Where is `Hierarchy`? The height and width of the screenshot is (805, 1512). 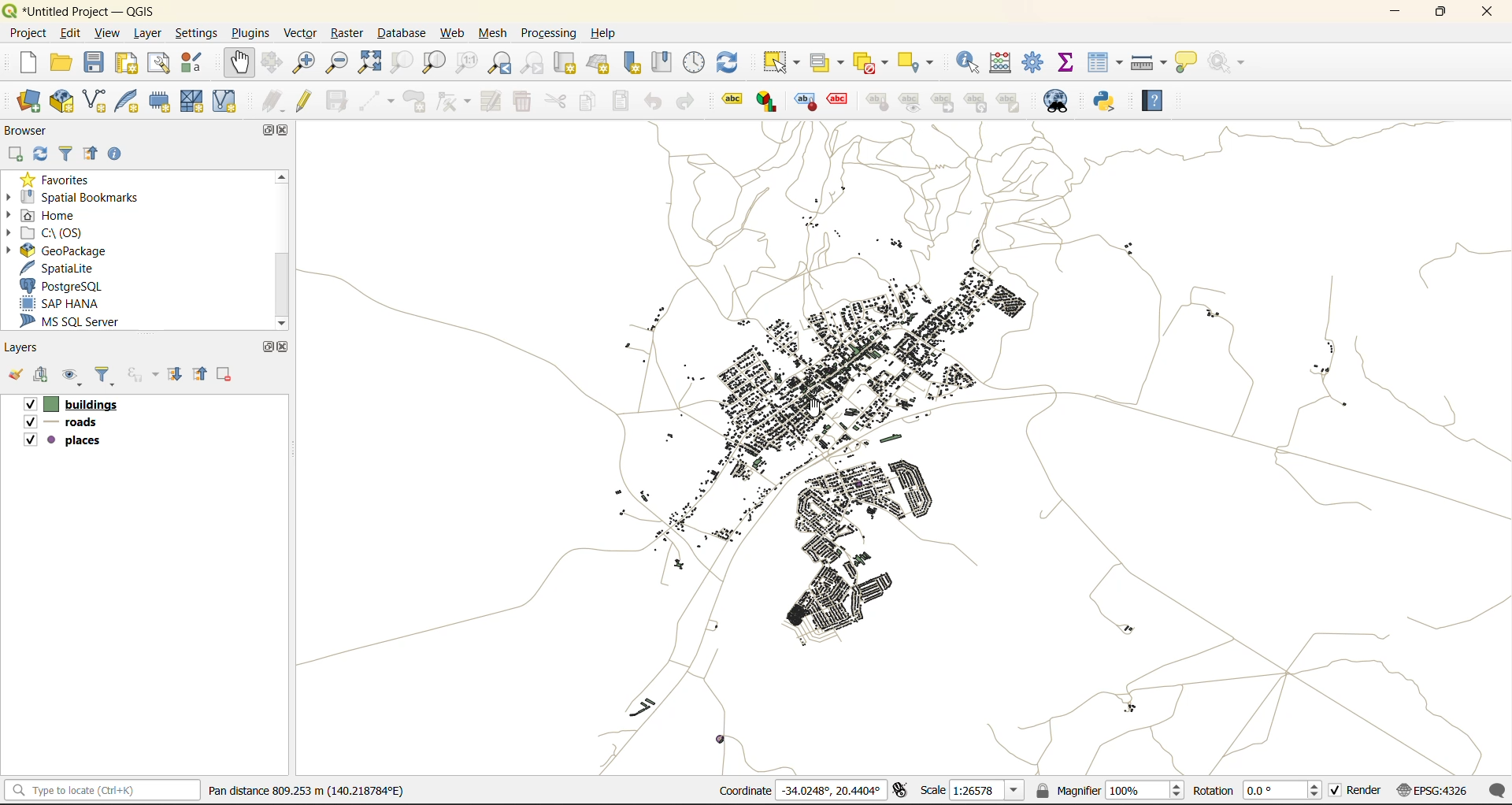 Hierarchy is located at coordinates (979, 102).